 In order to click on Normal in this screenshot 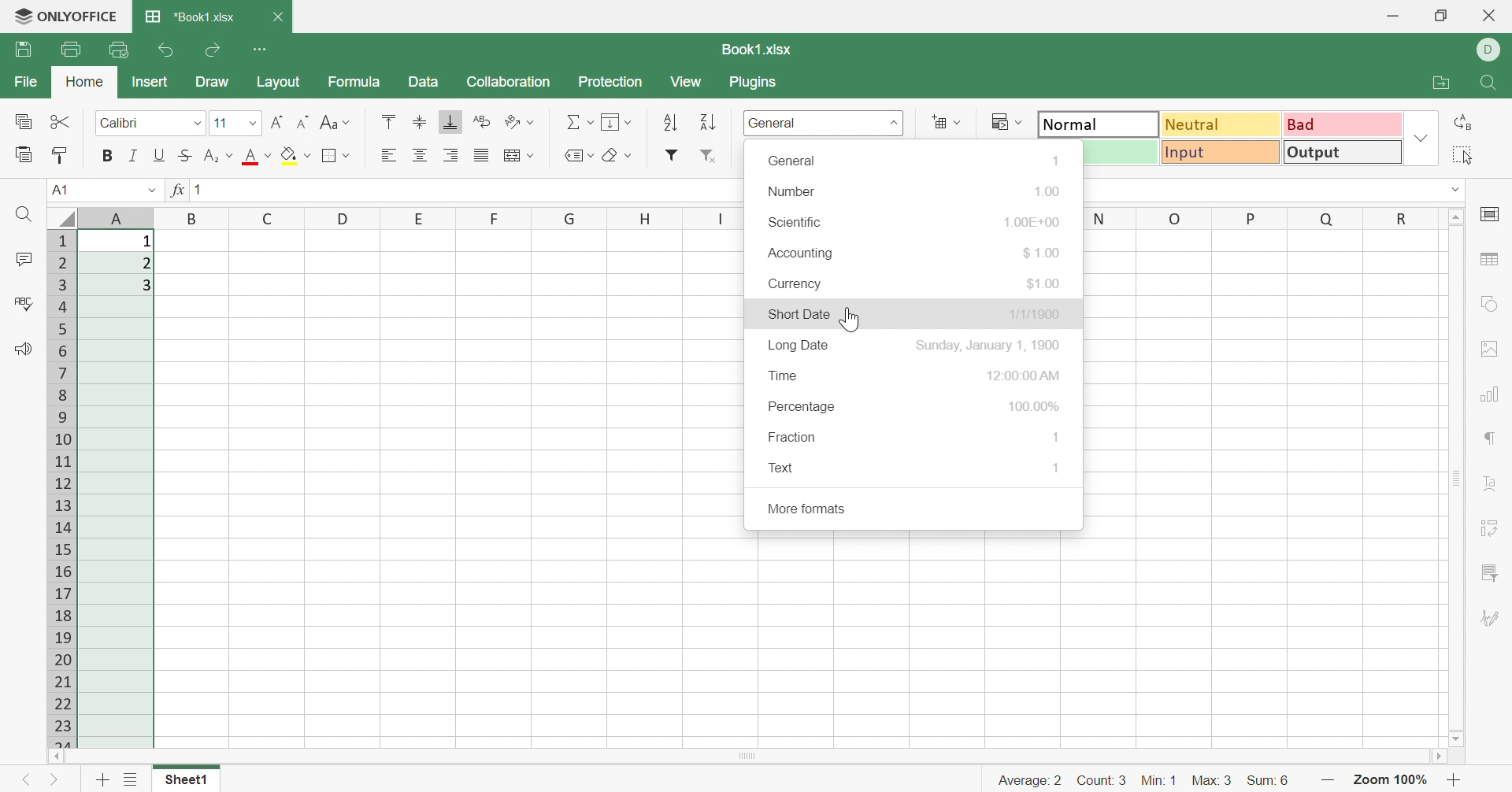, I will do `click(1099, 124)`.